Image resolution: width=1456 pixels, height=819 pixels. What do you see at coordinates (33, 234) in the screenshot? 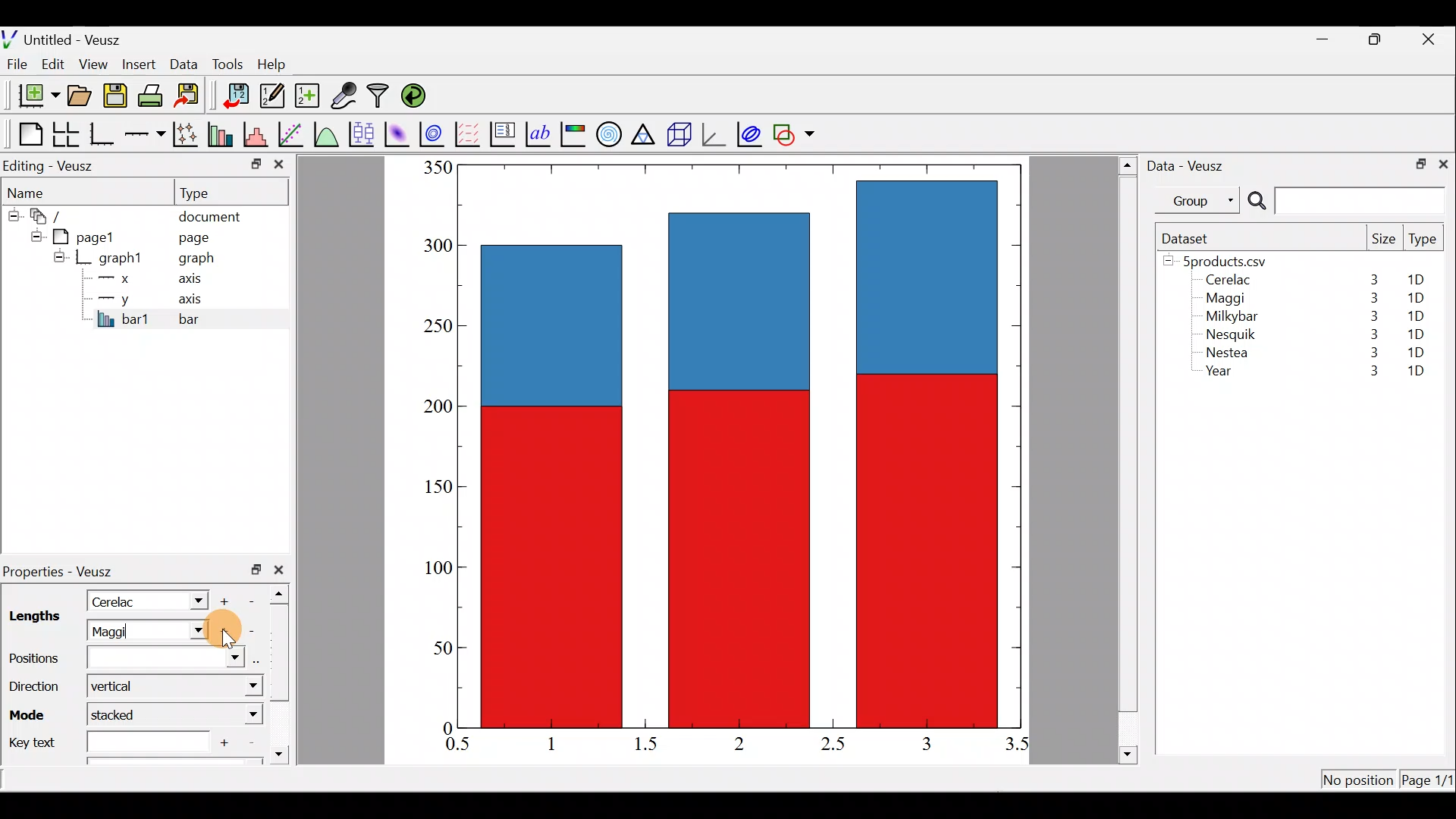
I see `hide` at bounding box center [33, 234].